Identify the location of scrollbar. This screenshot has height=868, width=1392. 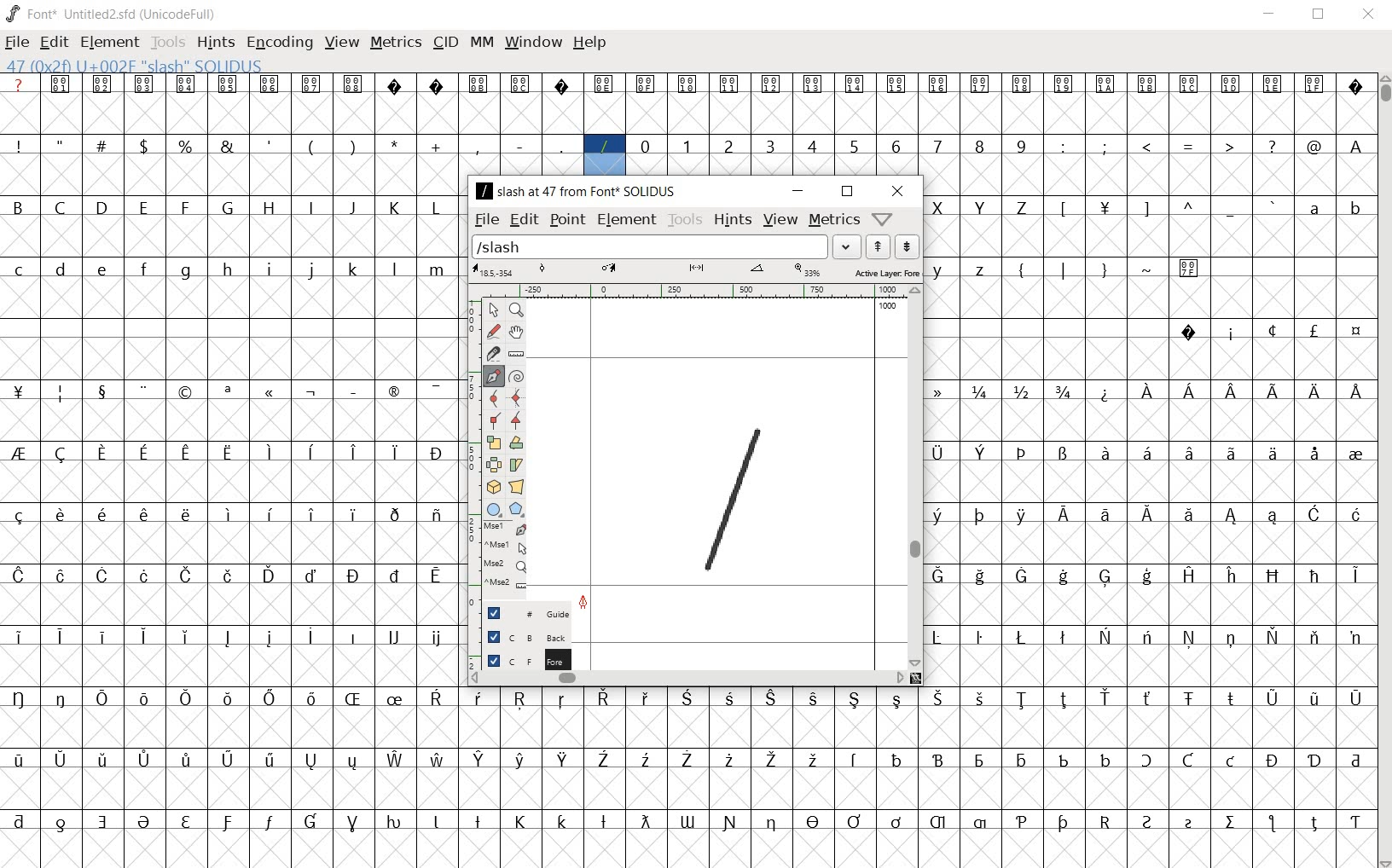
(915, 478).